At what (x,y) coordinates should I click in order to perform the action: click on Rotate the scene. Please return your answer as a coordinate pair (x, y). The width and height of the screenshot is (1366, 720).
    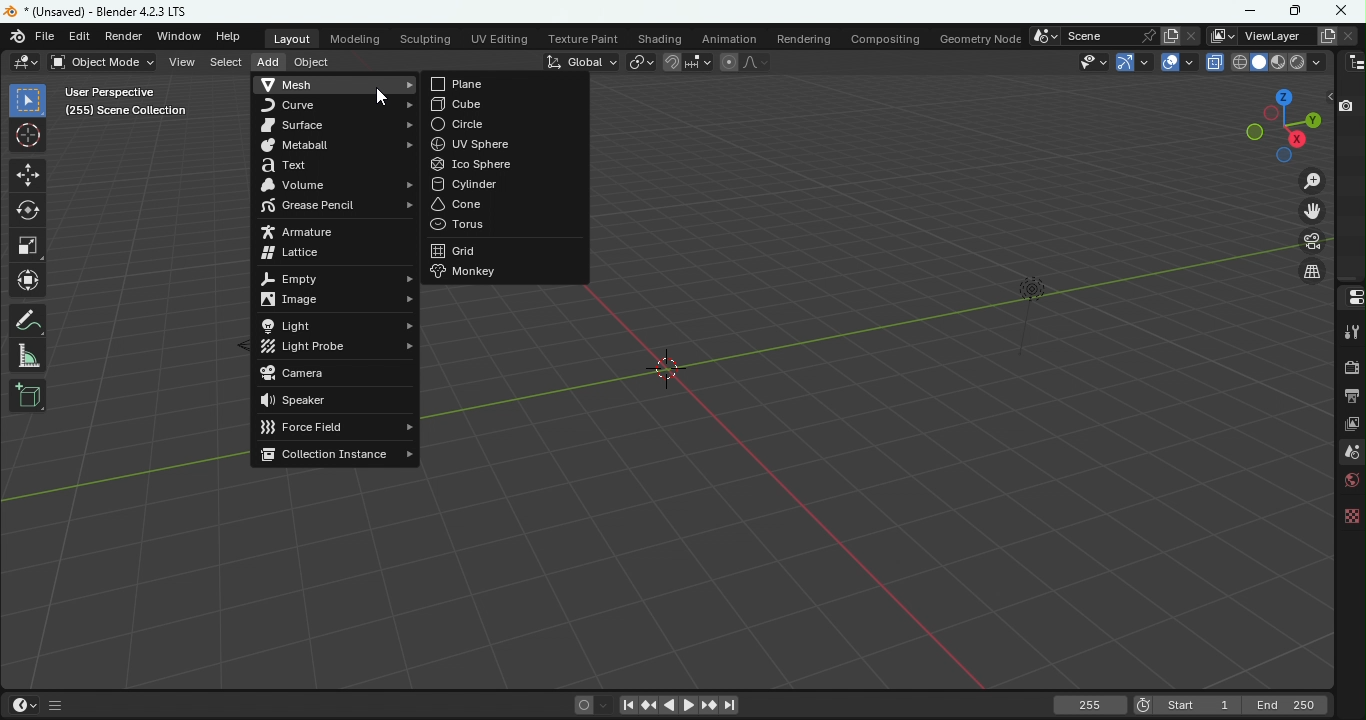
    Looking at the image, I should click on (1252, 132).